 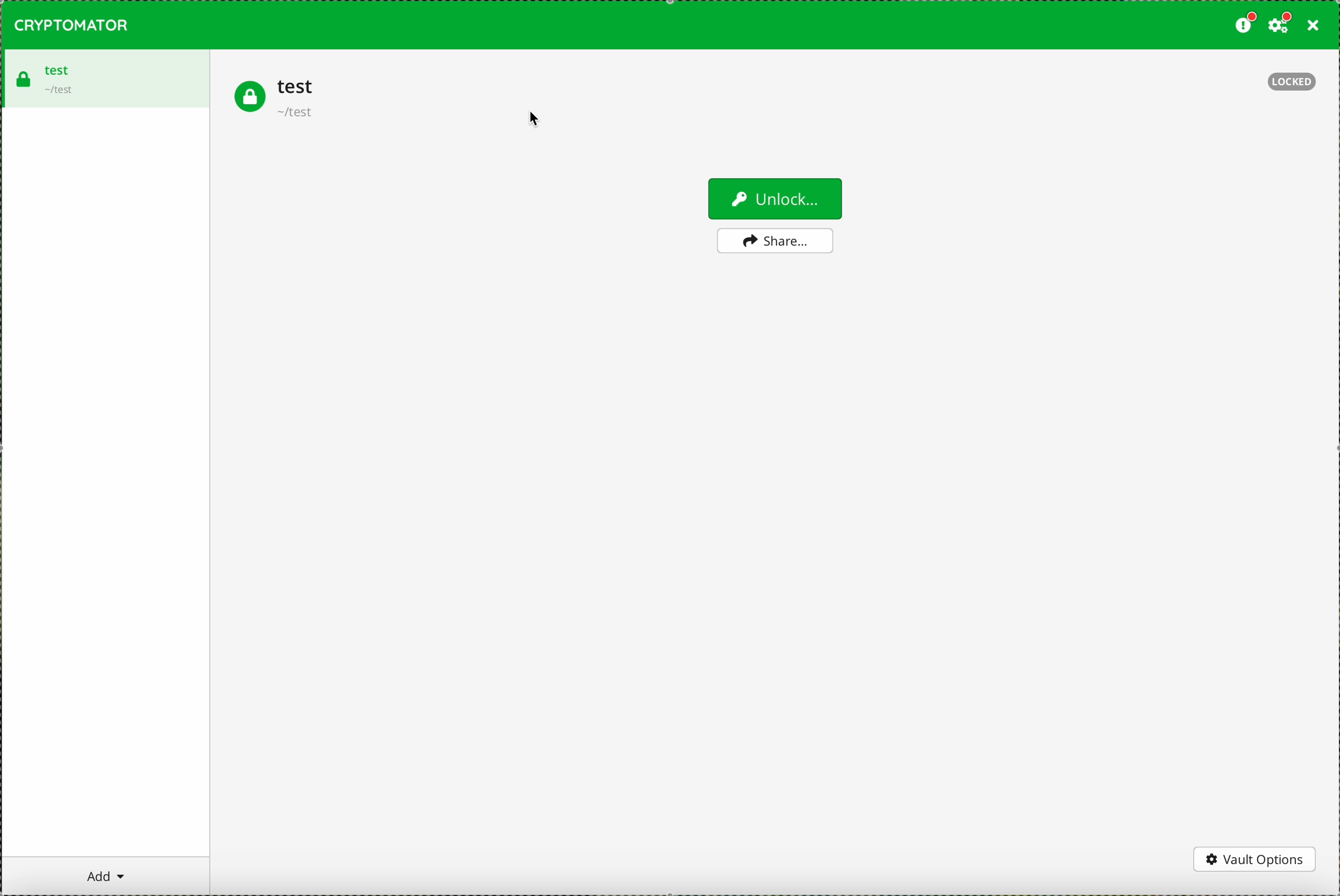 What do you see at coordinates (1293, 83) in the screenshot?
I see `locked` at bounding box center [1293, 83].